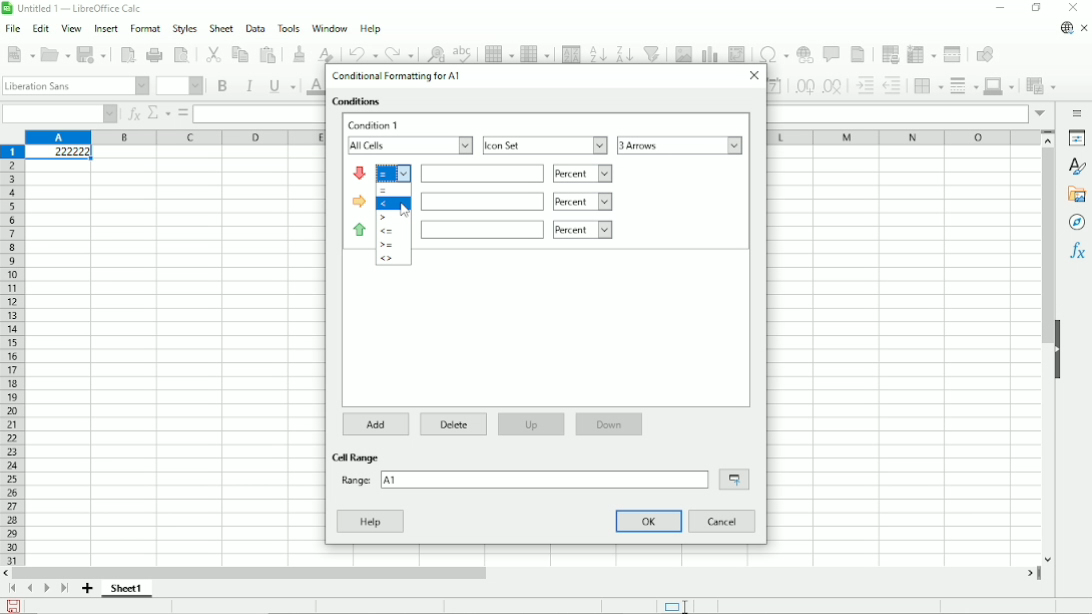 This screenshot has width=1092, height=614. Describe the element at coordinates (653, 51) in the screenshot. I see `Auto filter` at that location.